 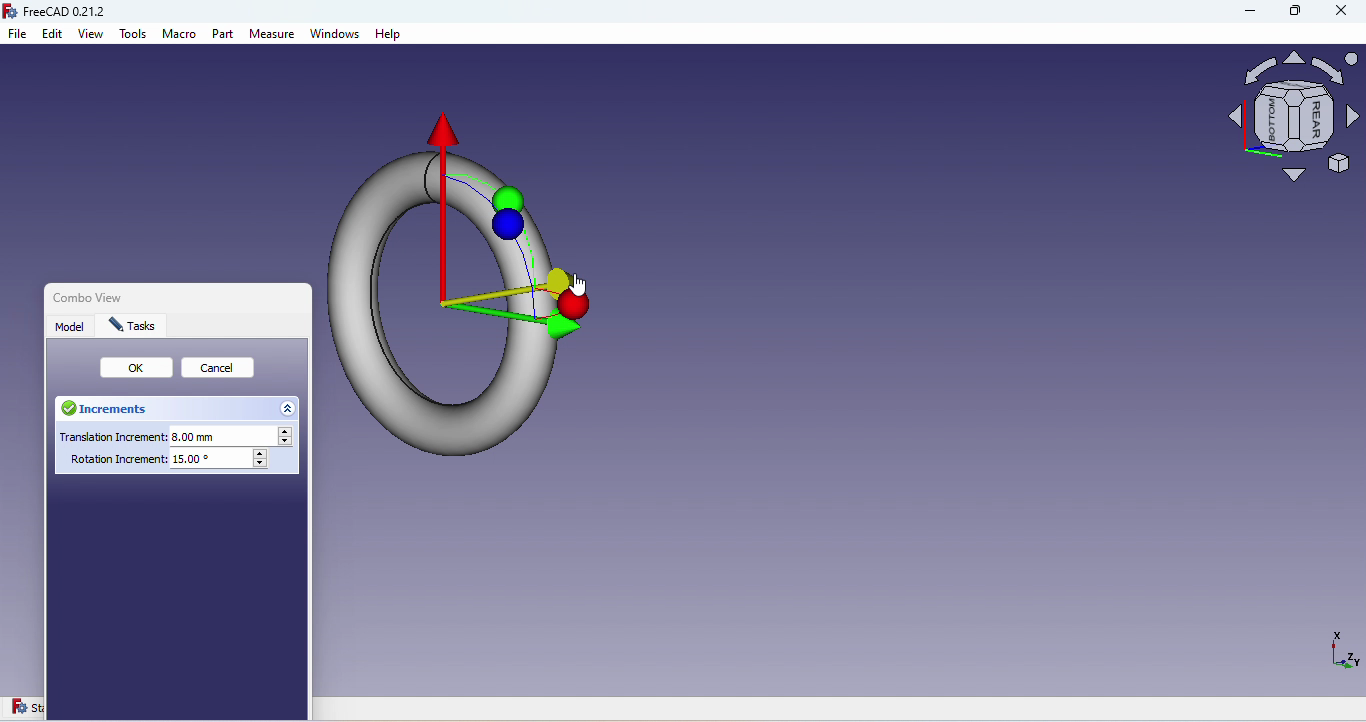 What do you see at coordinates (138, 368) in the screenshot?
I see `Ok` at bounding box center [138, 368].